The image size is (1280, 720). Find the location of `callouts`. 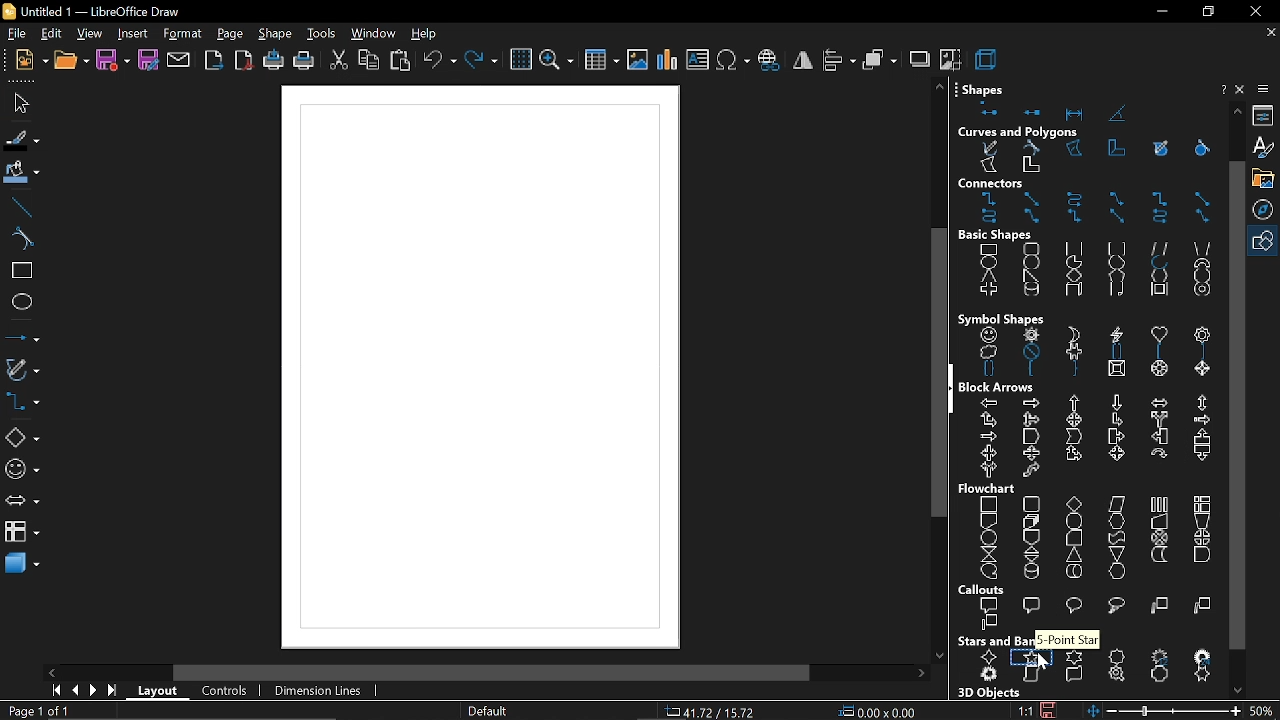

callouts is located at coordinates (1094, 615).